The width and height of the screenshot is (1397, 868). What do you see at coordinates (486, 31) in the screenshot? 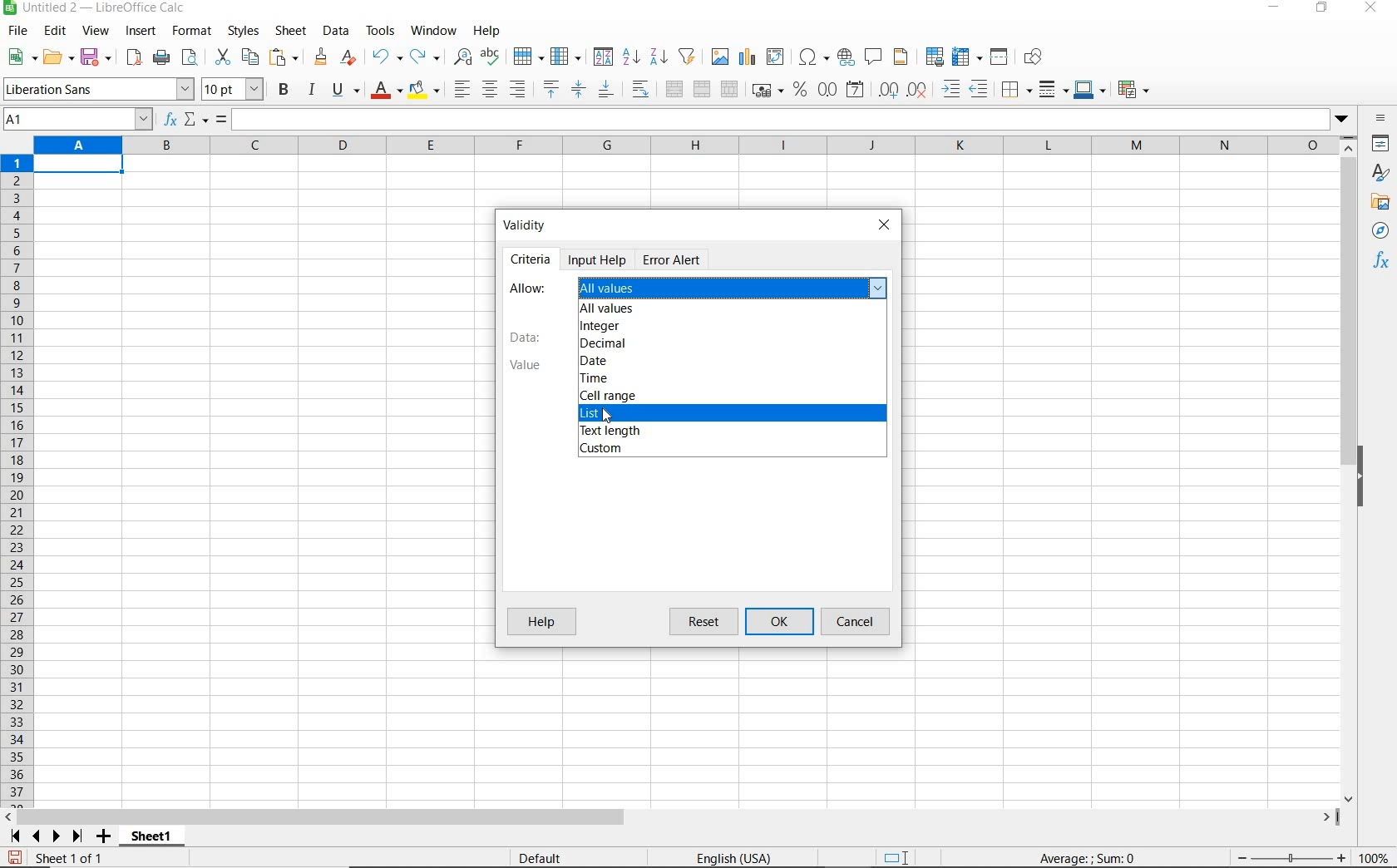
I see `help` at bounding box center [486, 31].